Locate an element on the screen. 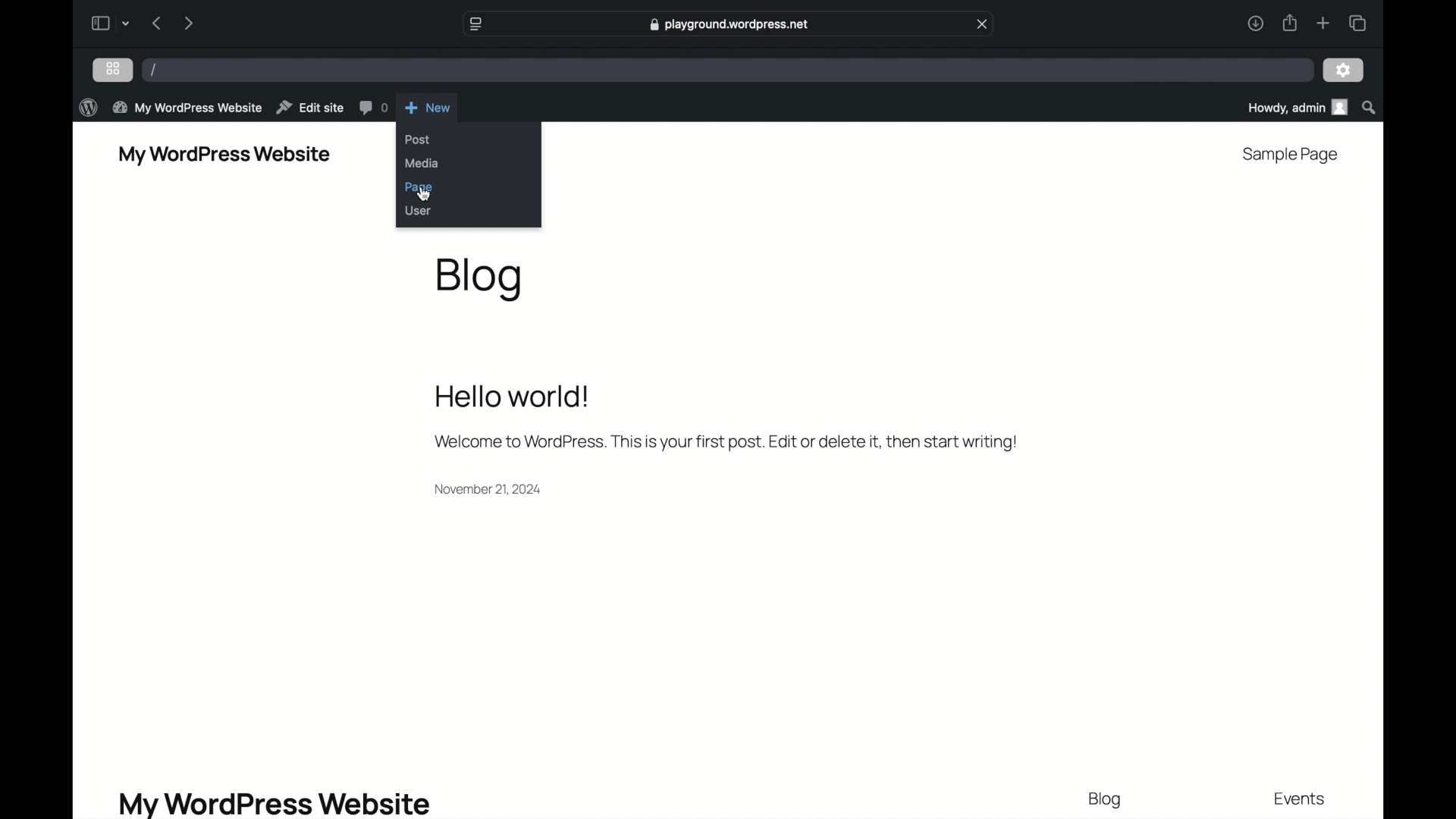  previous page is located at coordinates (156, 22).